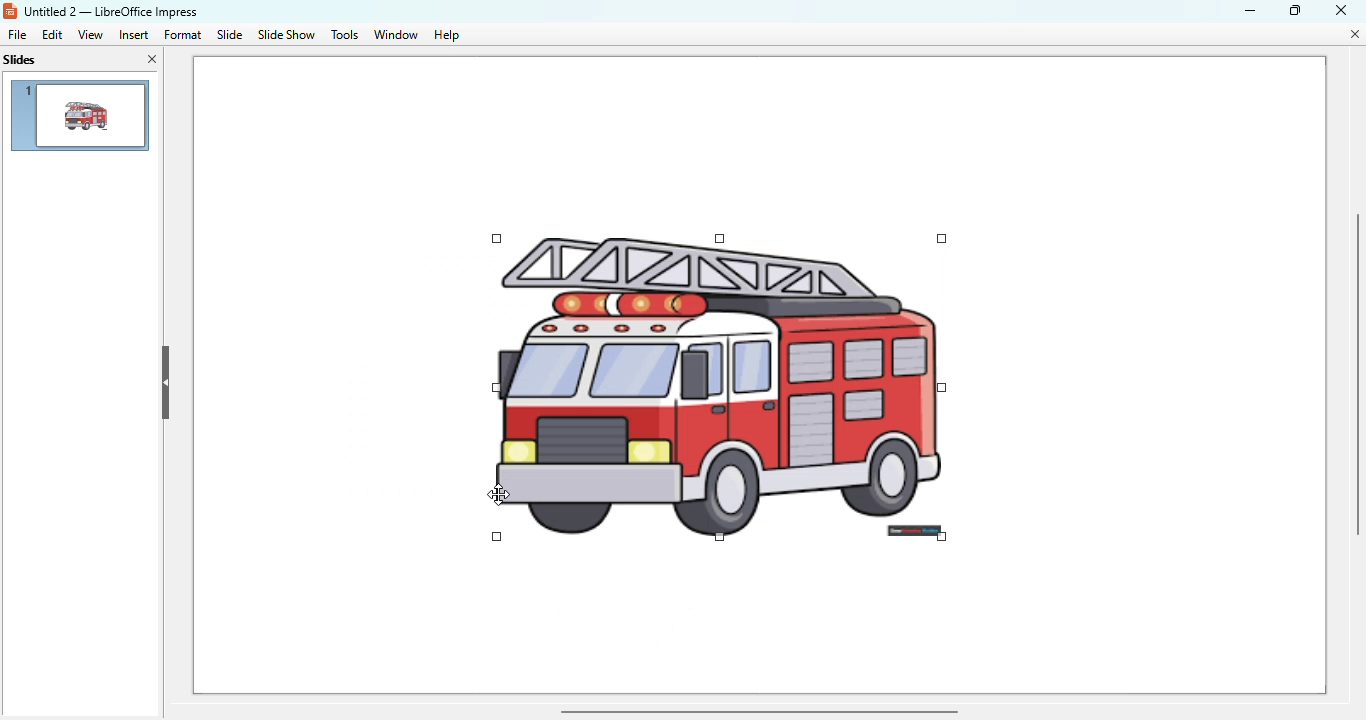 This screenshot has width=1366, height=720. Describe the element at coordinates (20, 60) in the screenshot. I see `slides` at that location.